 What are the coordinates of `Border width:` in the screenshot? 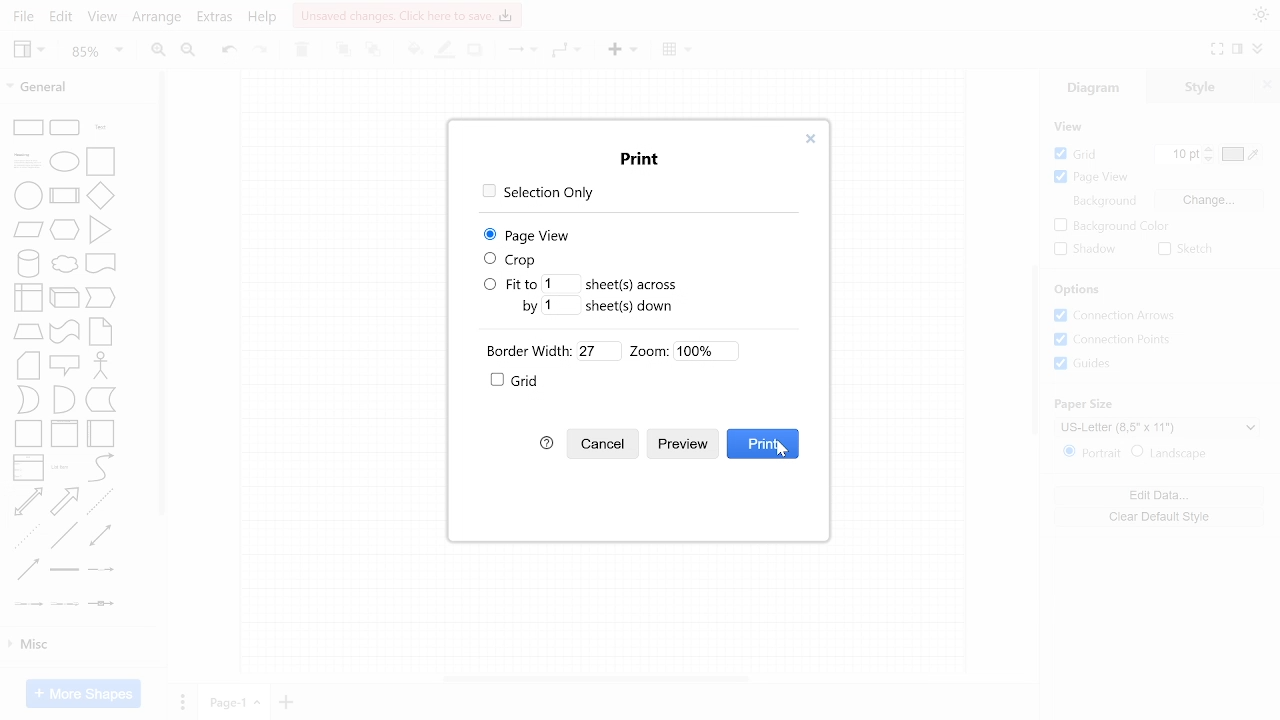 It's located at (529, 351).